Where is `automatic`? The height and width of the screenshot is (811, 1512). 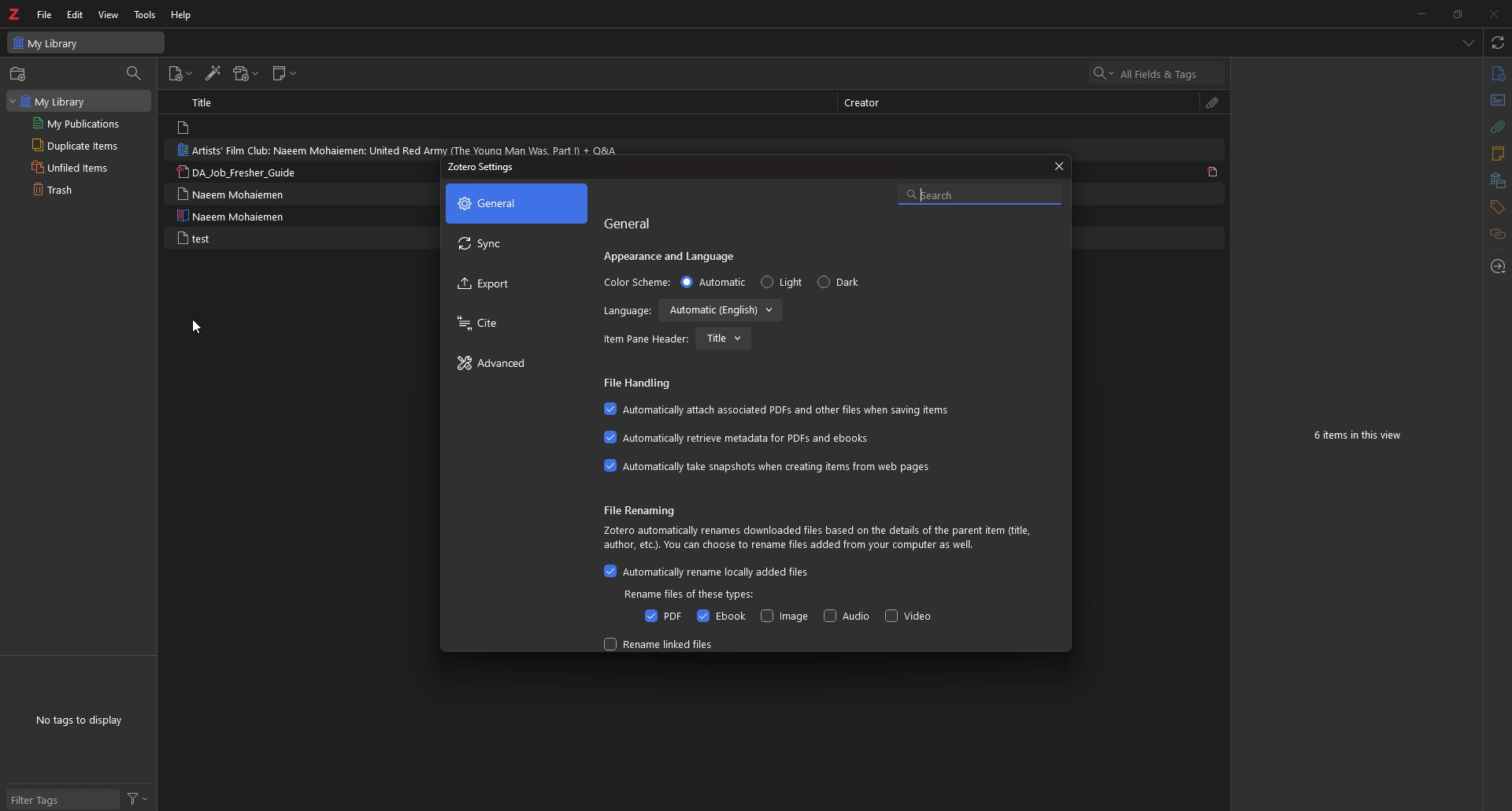 automatic is located at coordinates (714, 282).